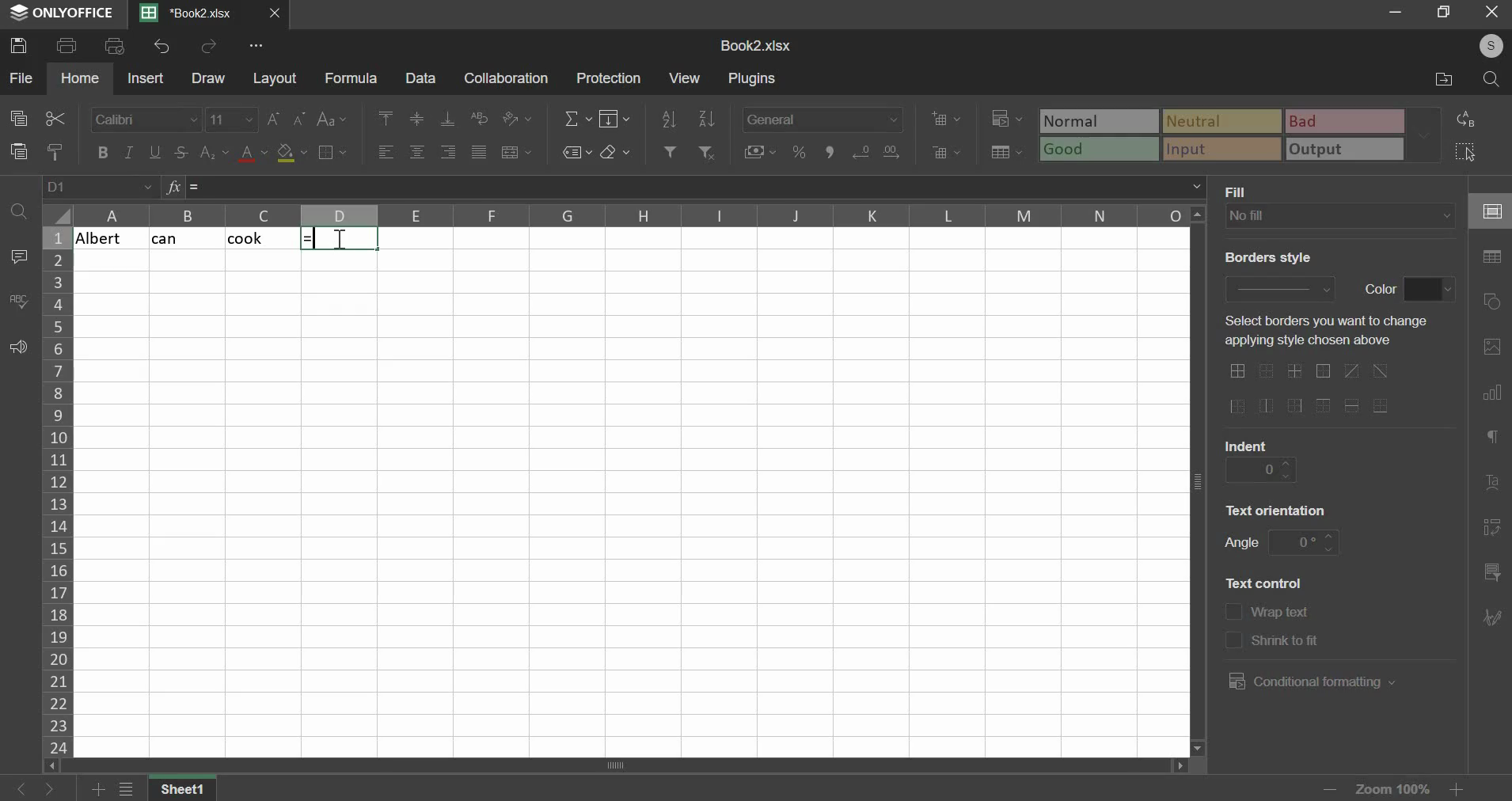  Describe the element at coordinates (18, 119) in the screenshot. I see `copy` at that location.